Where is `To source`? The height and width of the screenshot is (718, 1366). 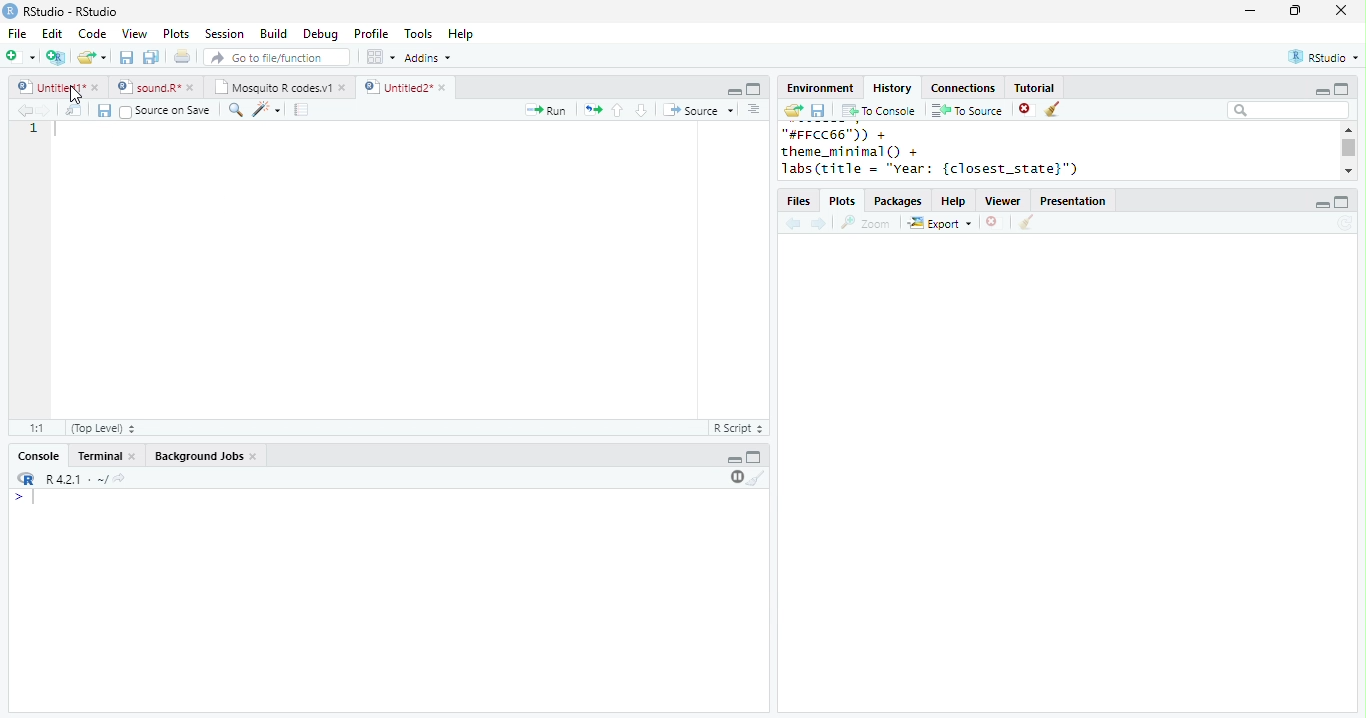
To source is located at coordinates (967, 110).